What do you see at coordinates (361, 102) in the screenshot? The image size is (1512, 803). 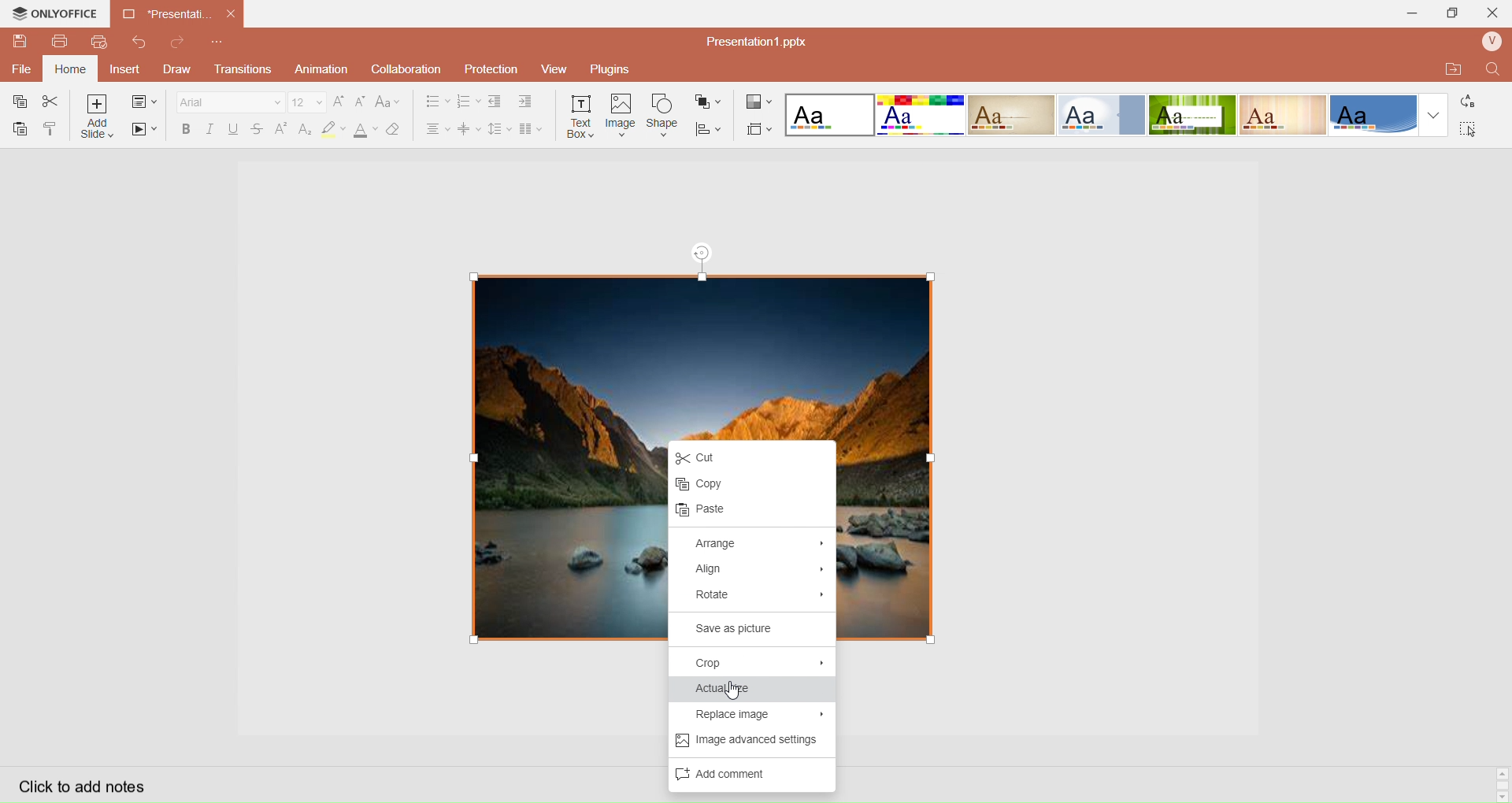 I see `Decrease Font Size` at bounding box center [361, 102].